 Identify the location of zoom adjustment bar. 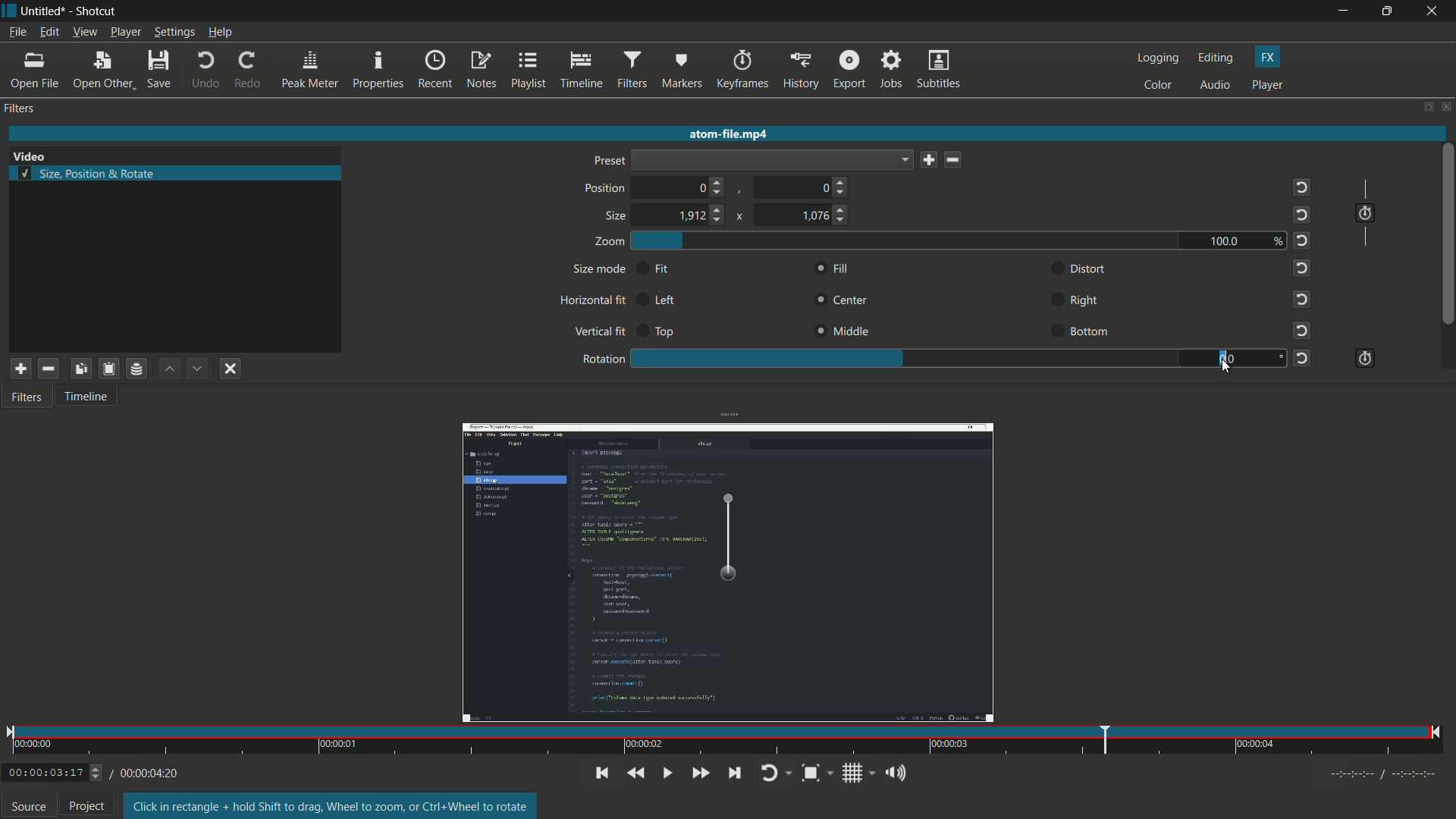
(906, 240).